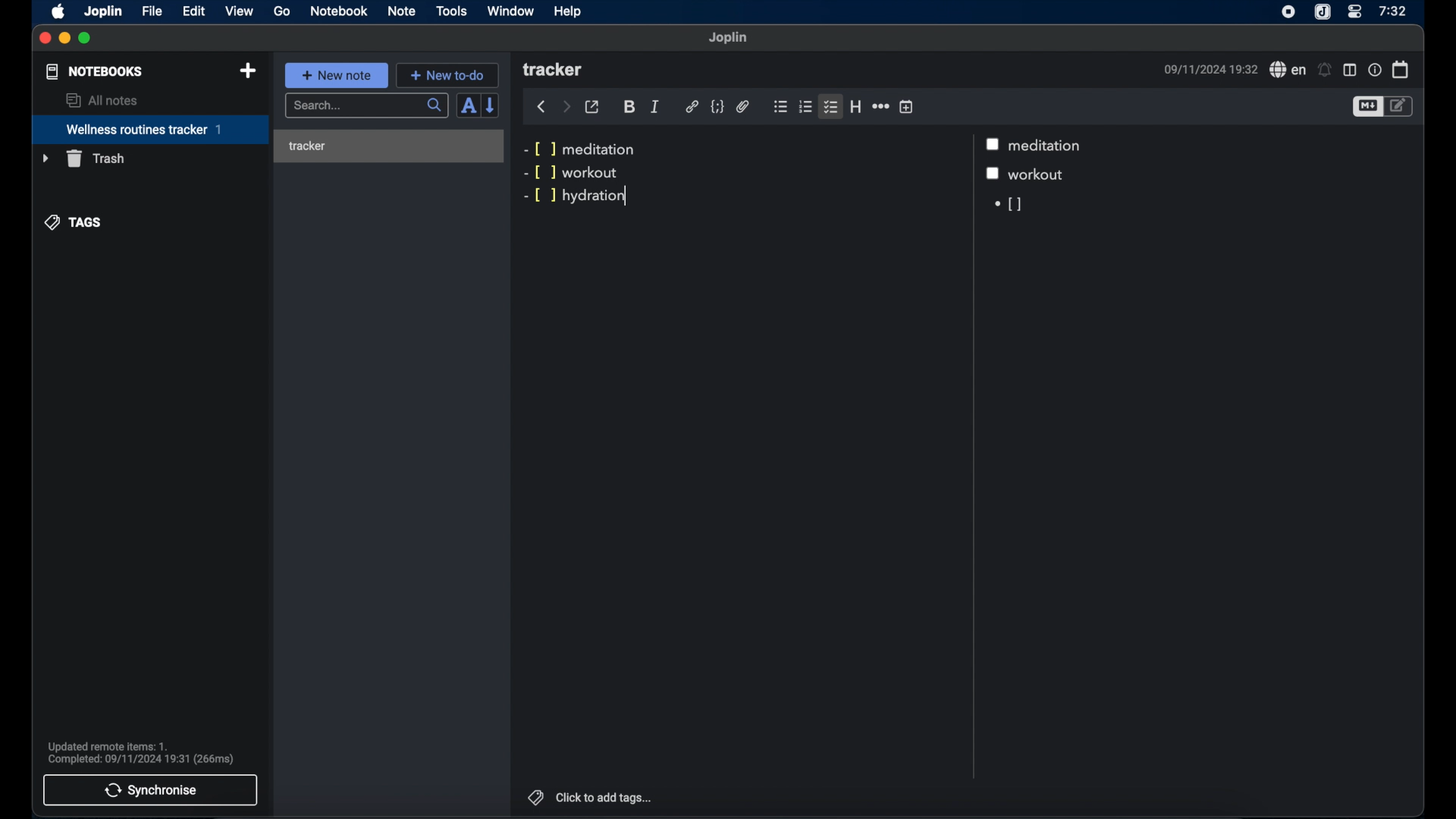 The height and width of the screenshot is (819, 1456). What do you see at coordinates (511, 11) in the screenshot?
I see `window` at bounding box center [511, 11].